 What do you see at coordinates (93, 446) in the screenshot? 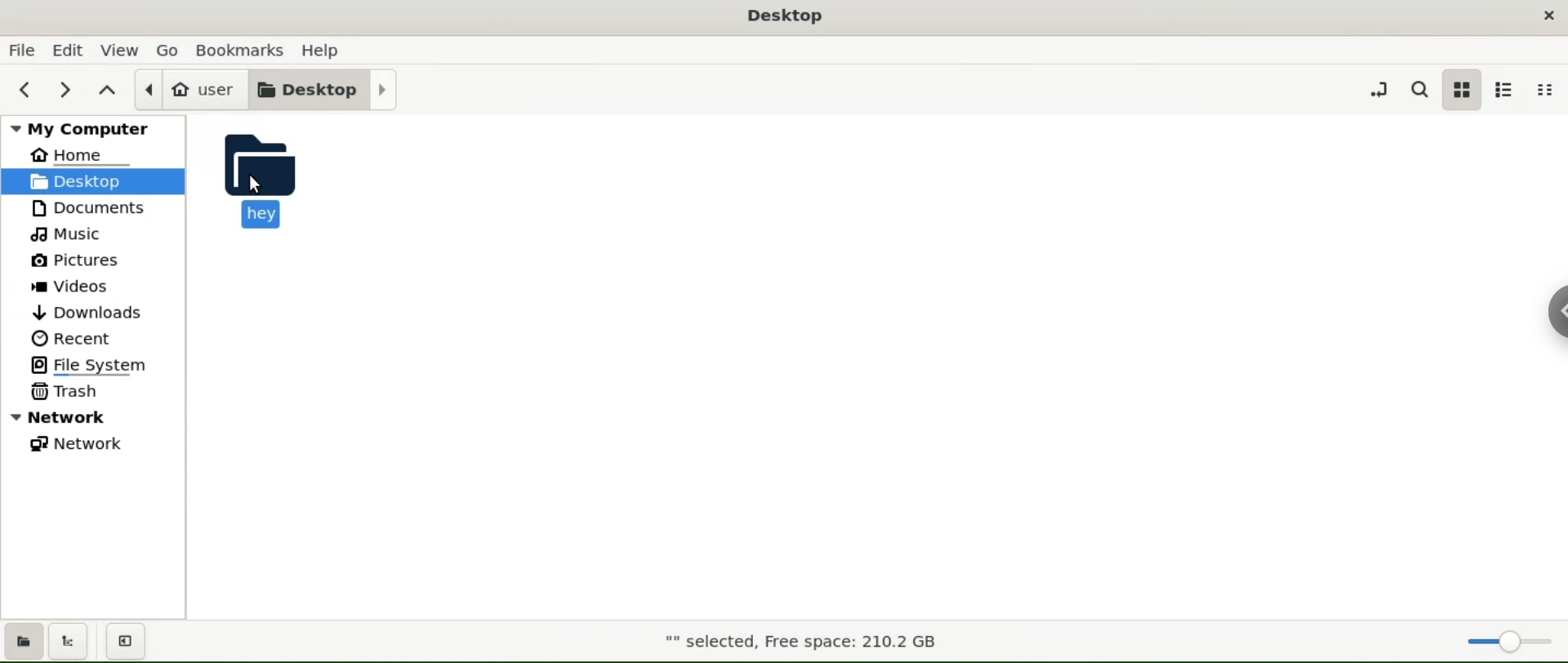
I see `network` at bounding box center [93, 446].